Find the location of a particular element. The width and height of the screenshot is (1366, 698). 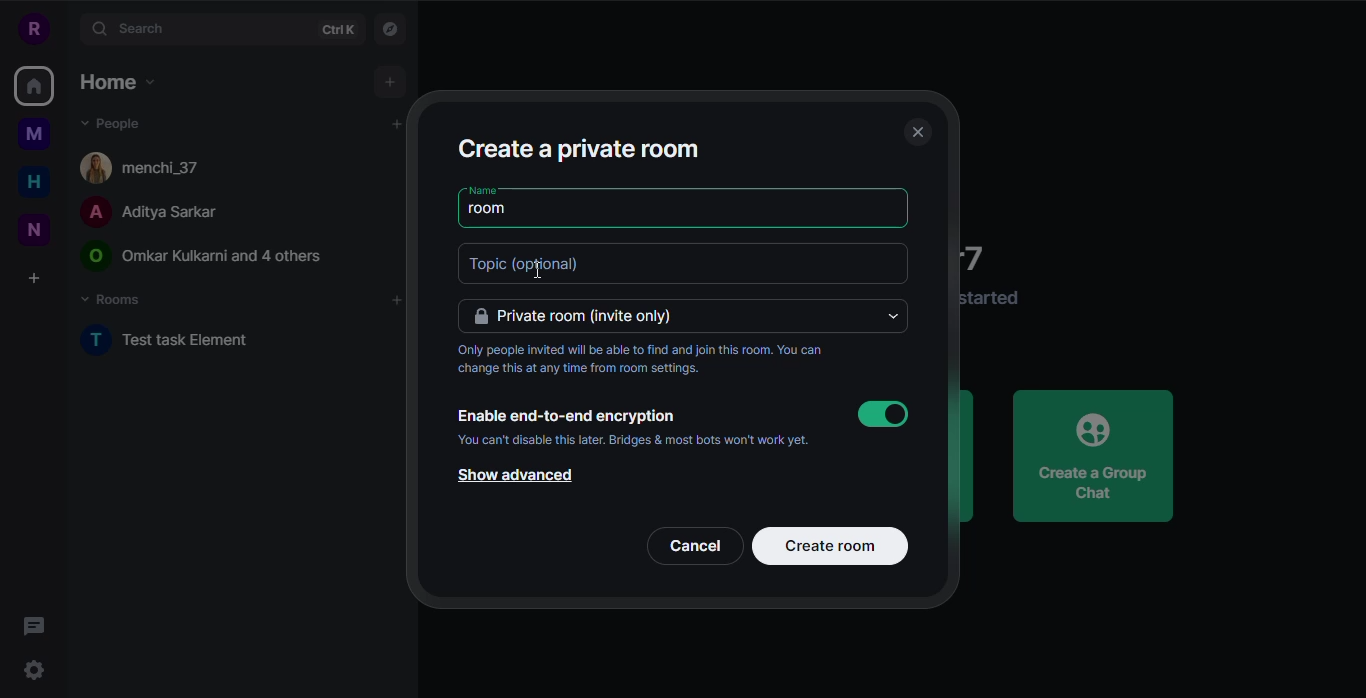

add is located at coordinates (395, 301).